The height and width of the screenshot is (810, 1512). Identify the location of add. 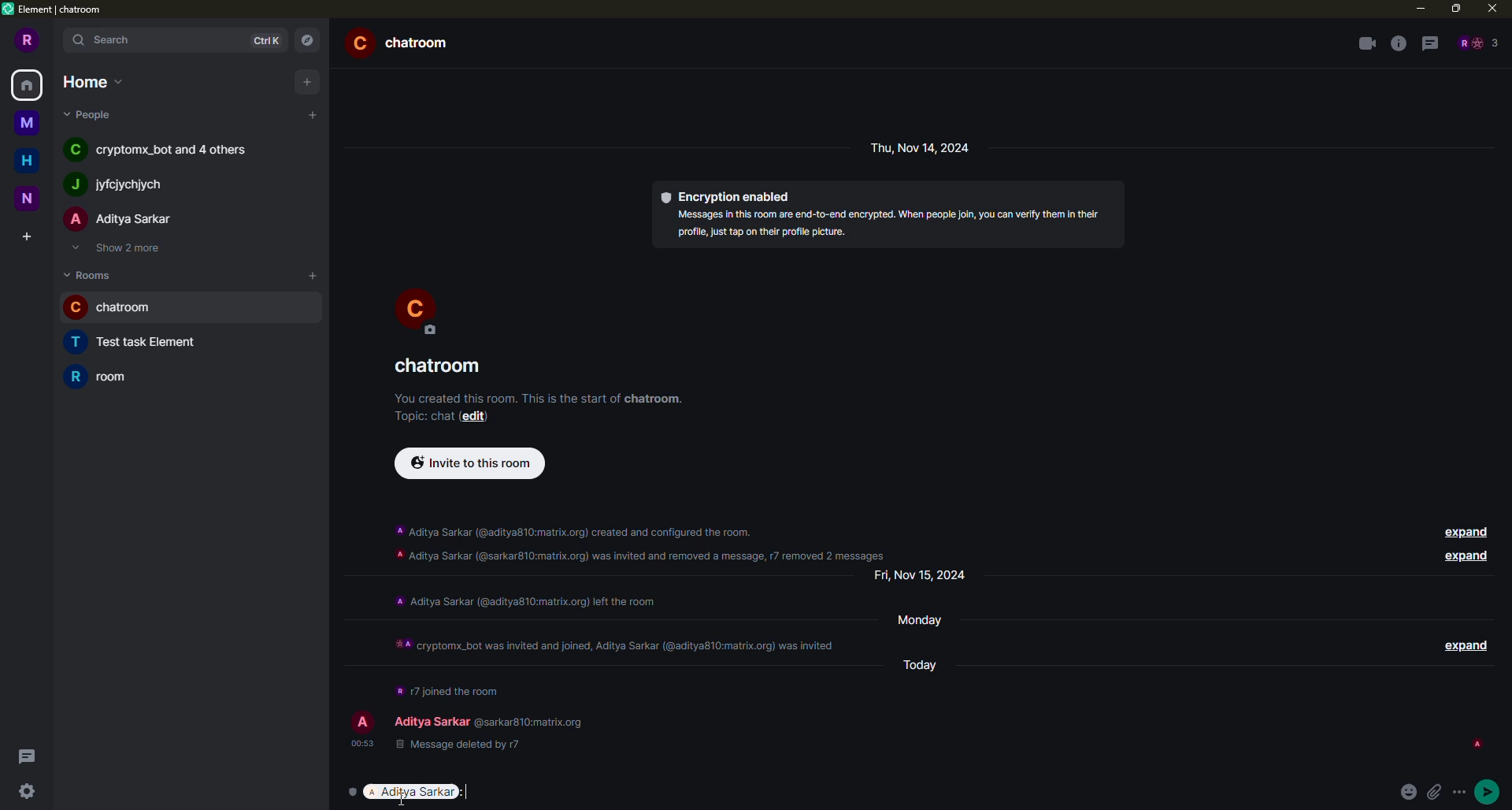
(305, 81).